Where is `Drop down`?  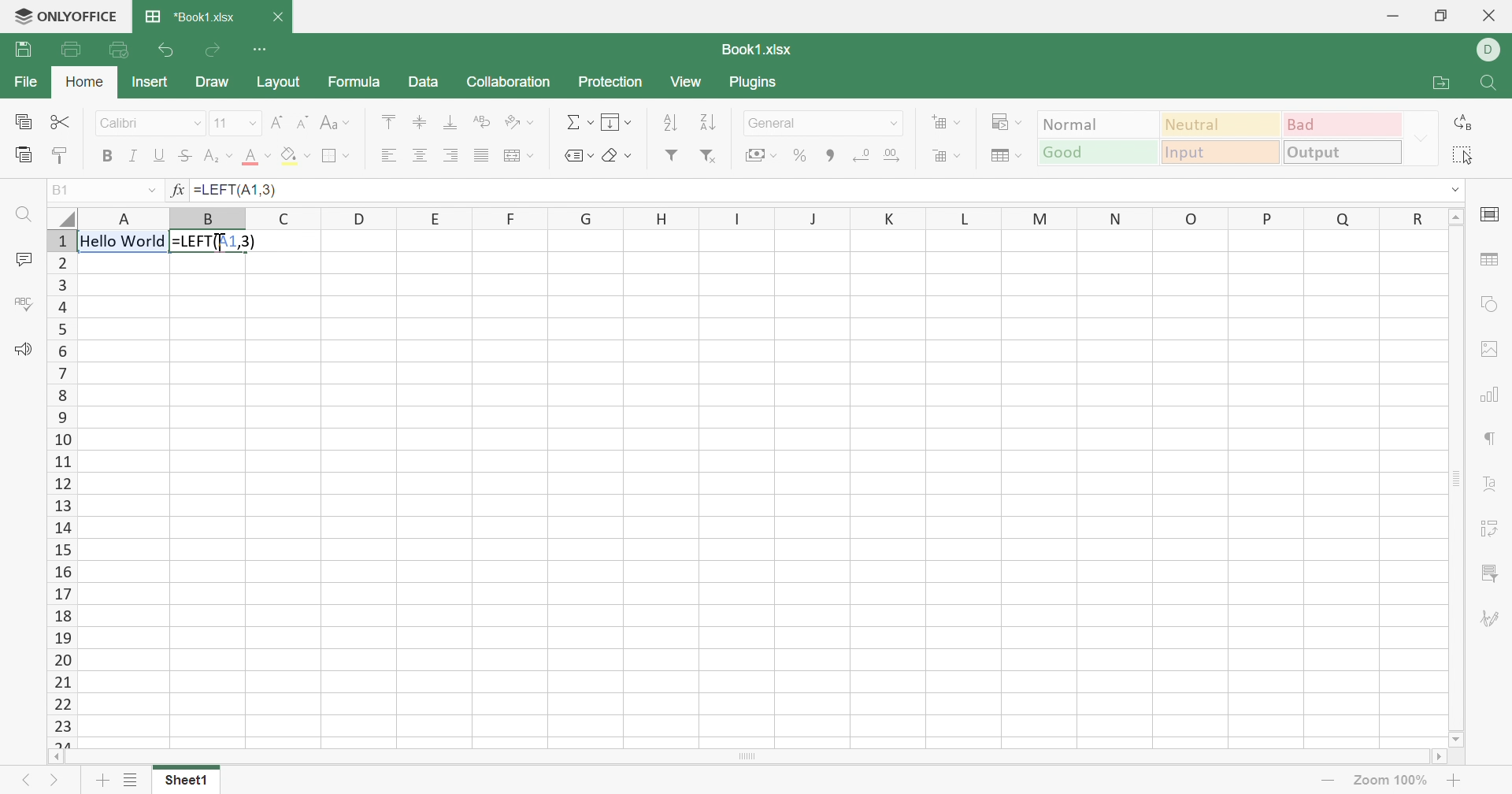 Drop down is located at coordinates (1423, 139).